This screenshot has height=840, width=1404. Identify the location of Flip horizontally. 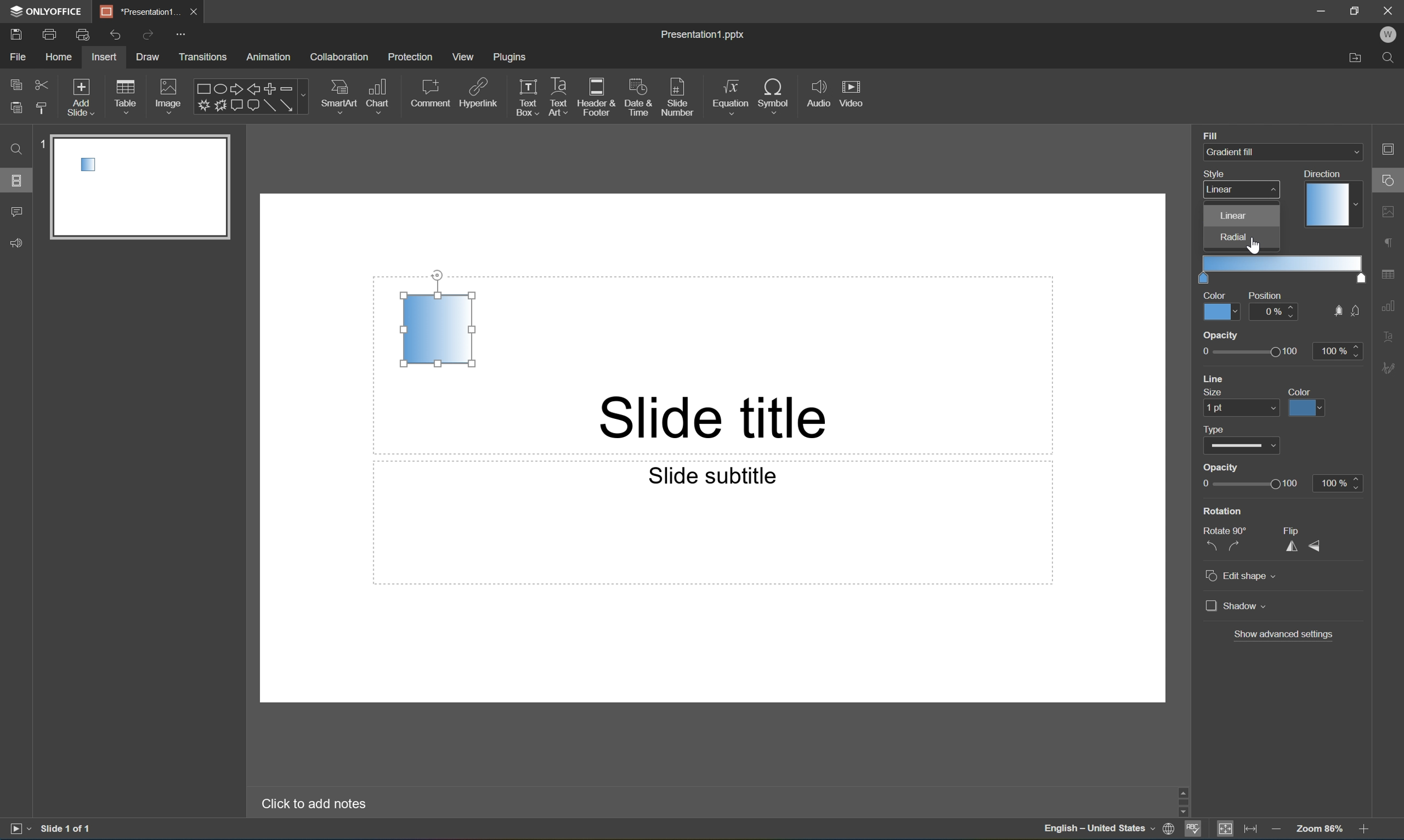
(1289, 551).